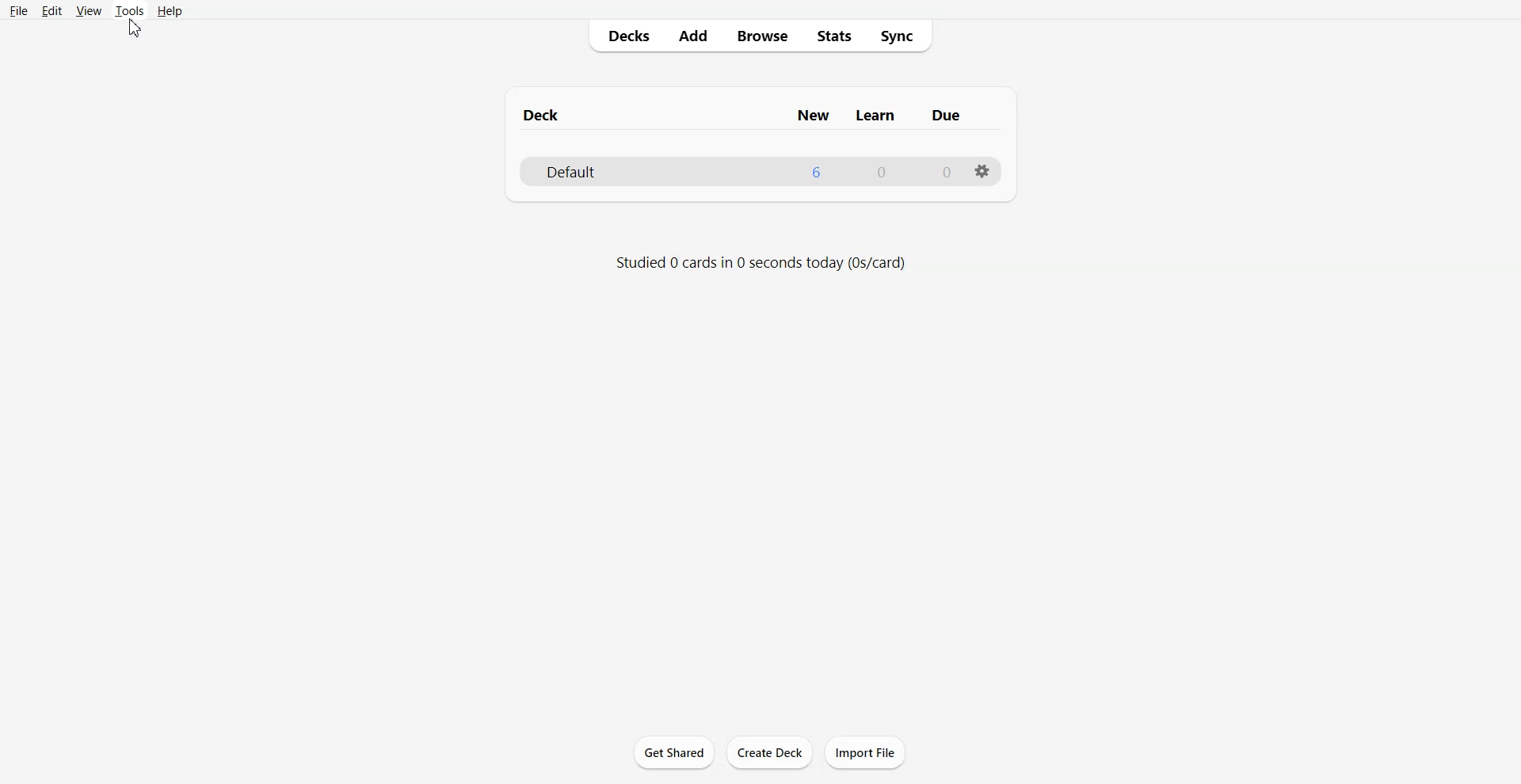  Describe the element at coordinates (674, 752) in the screenshot. I see `Get Shared` at that location.